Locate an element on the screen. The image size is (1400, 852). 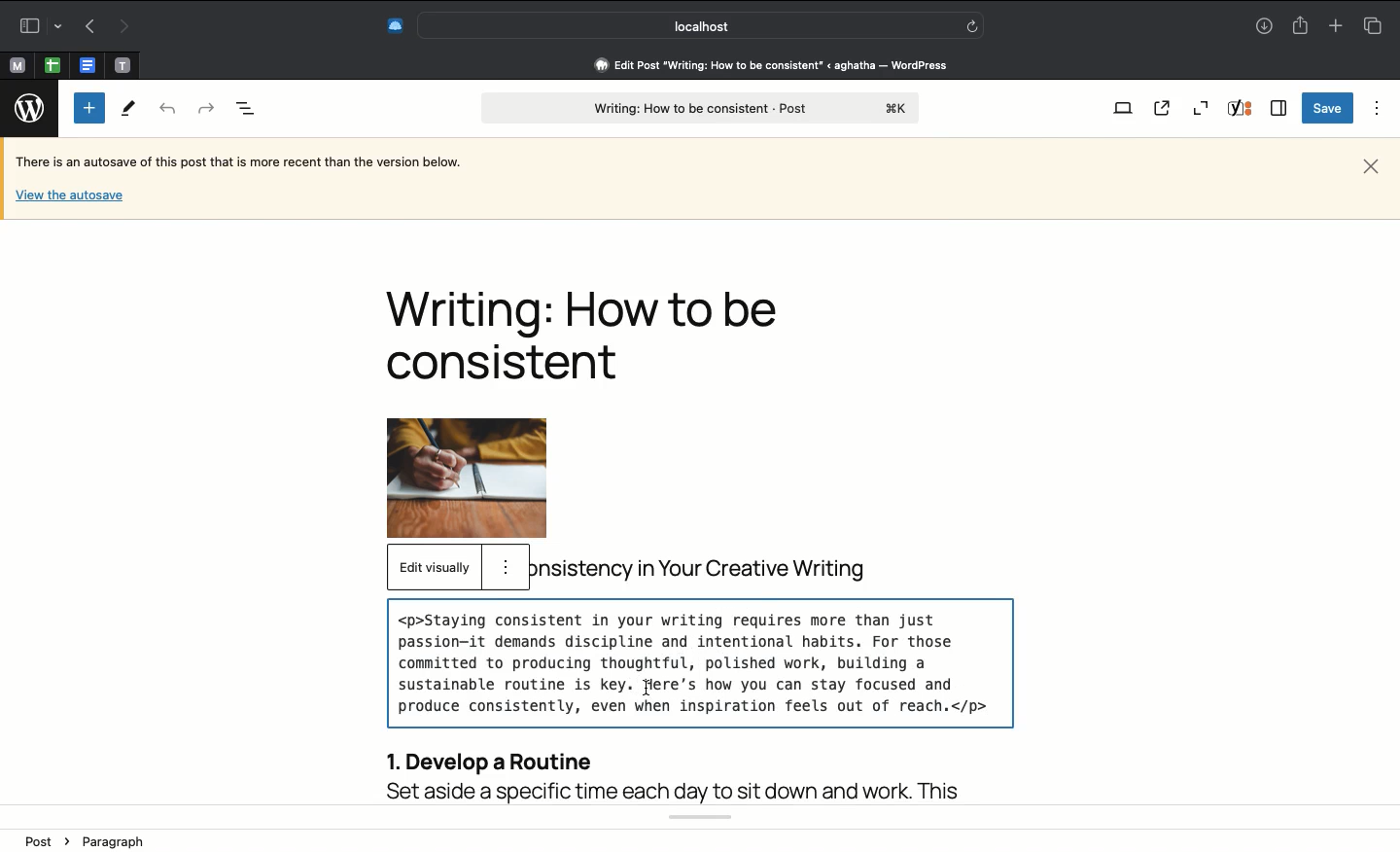
Options is located at coordinates (1373, 108).